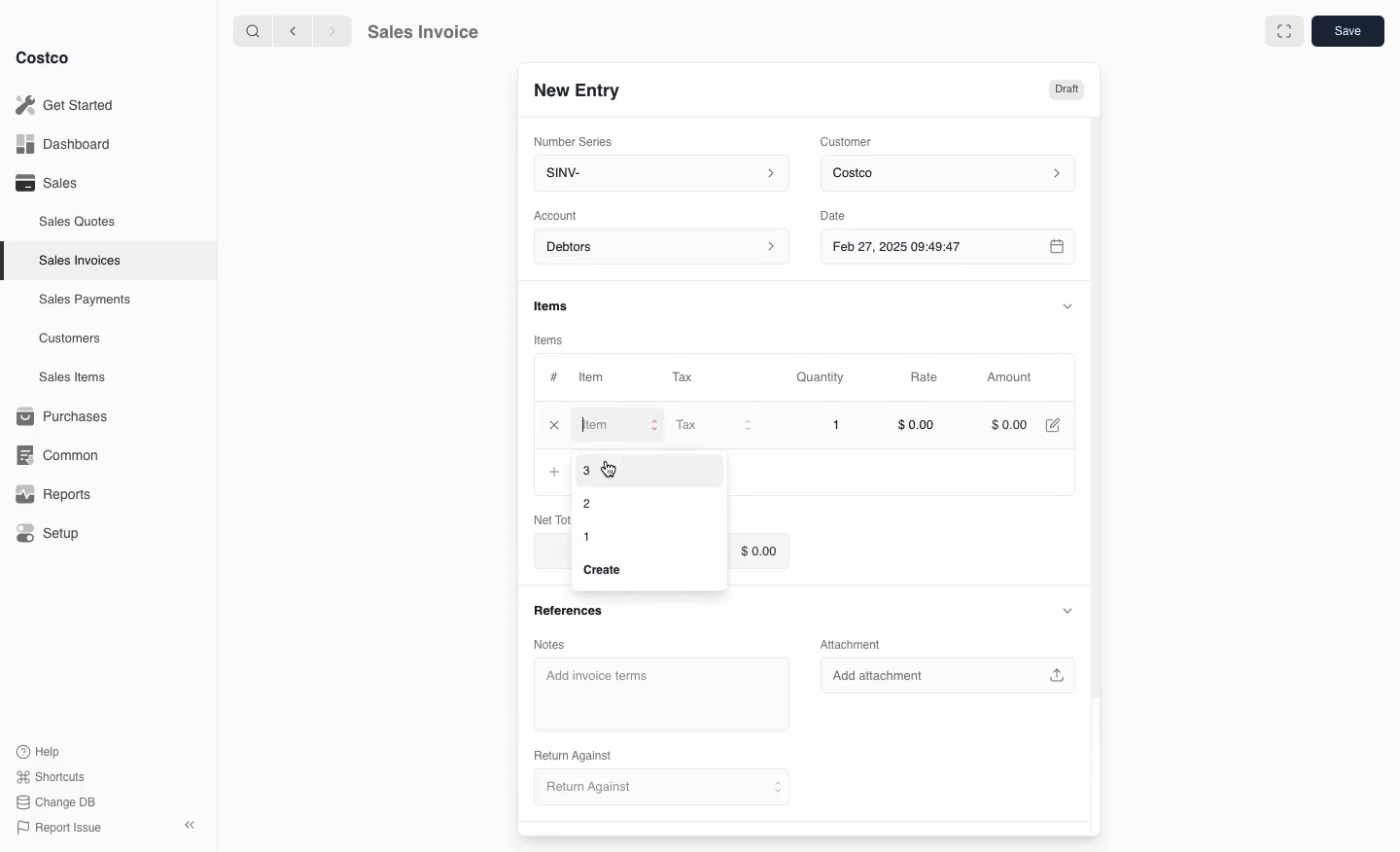  I want to click on Customers, so click(73, 338).